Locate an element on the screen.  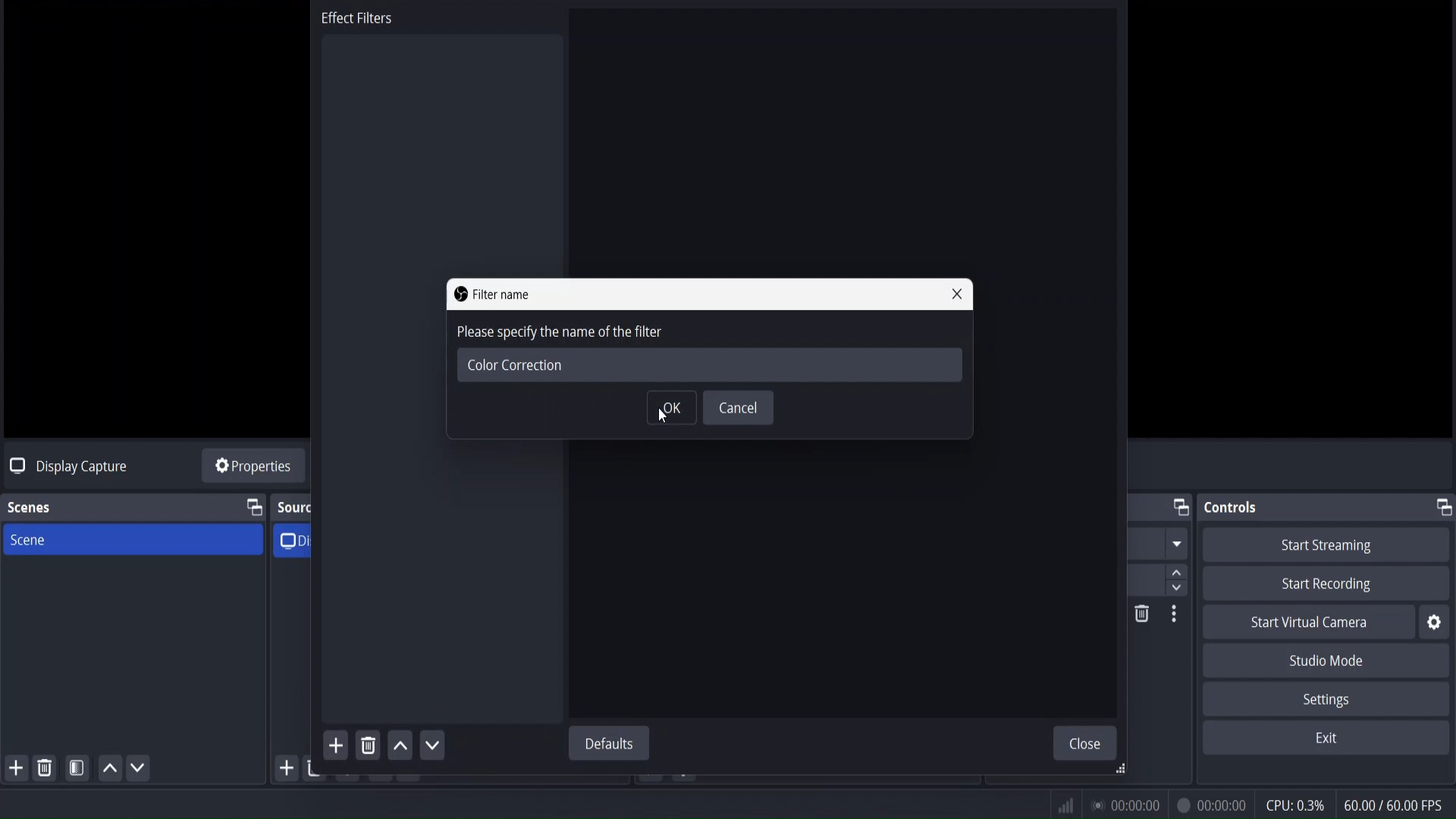
UP is located at coordinates (107, 772).